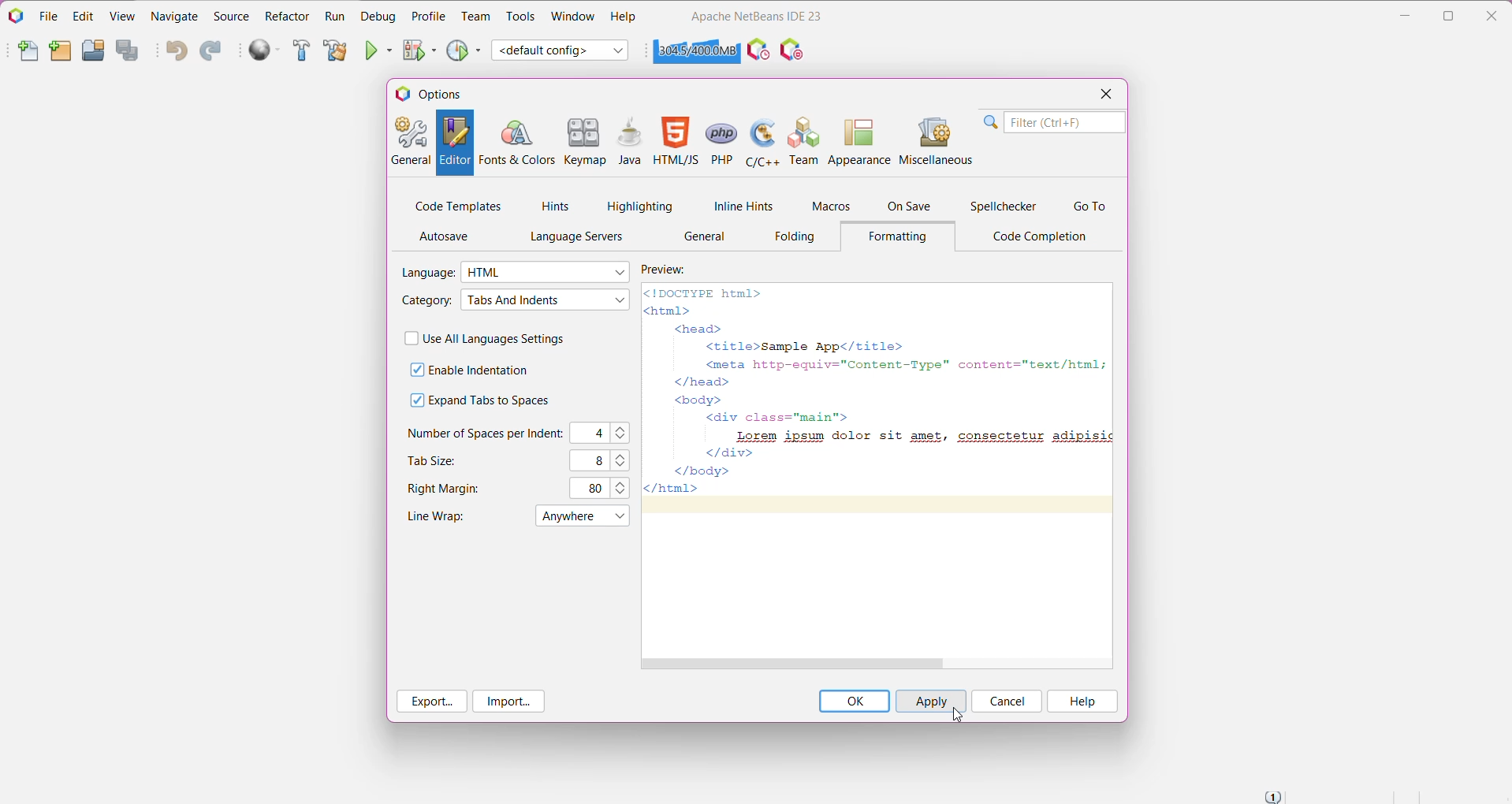 This screenshot has height=804, width=1512. What do you see at coordinates (794, 49) in the screenshot?
I see `I/O Checks` at bounding box center [794, 49].